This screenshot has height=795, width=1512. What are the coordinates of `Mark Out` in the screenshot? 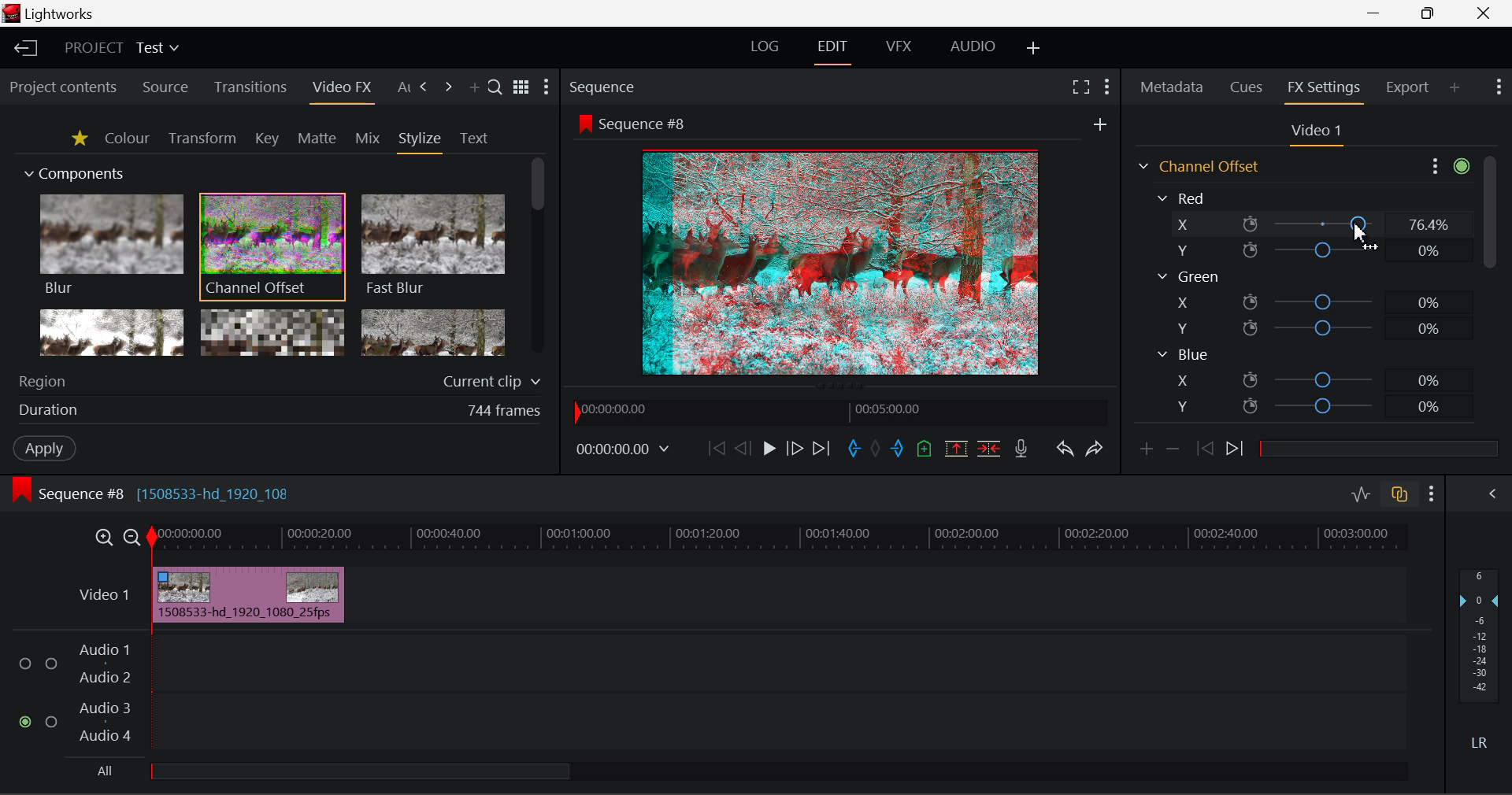 It's located at (896, 449).